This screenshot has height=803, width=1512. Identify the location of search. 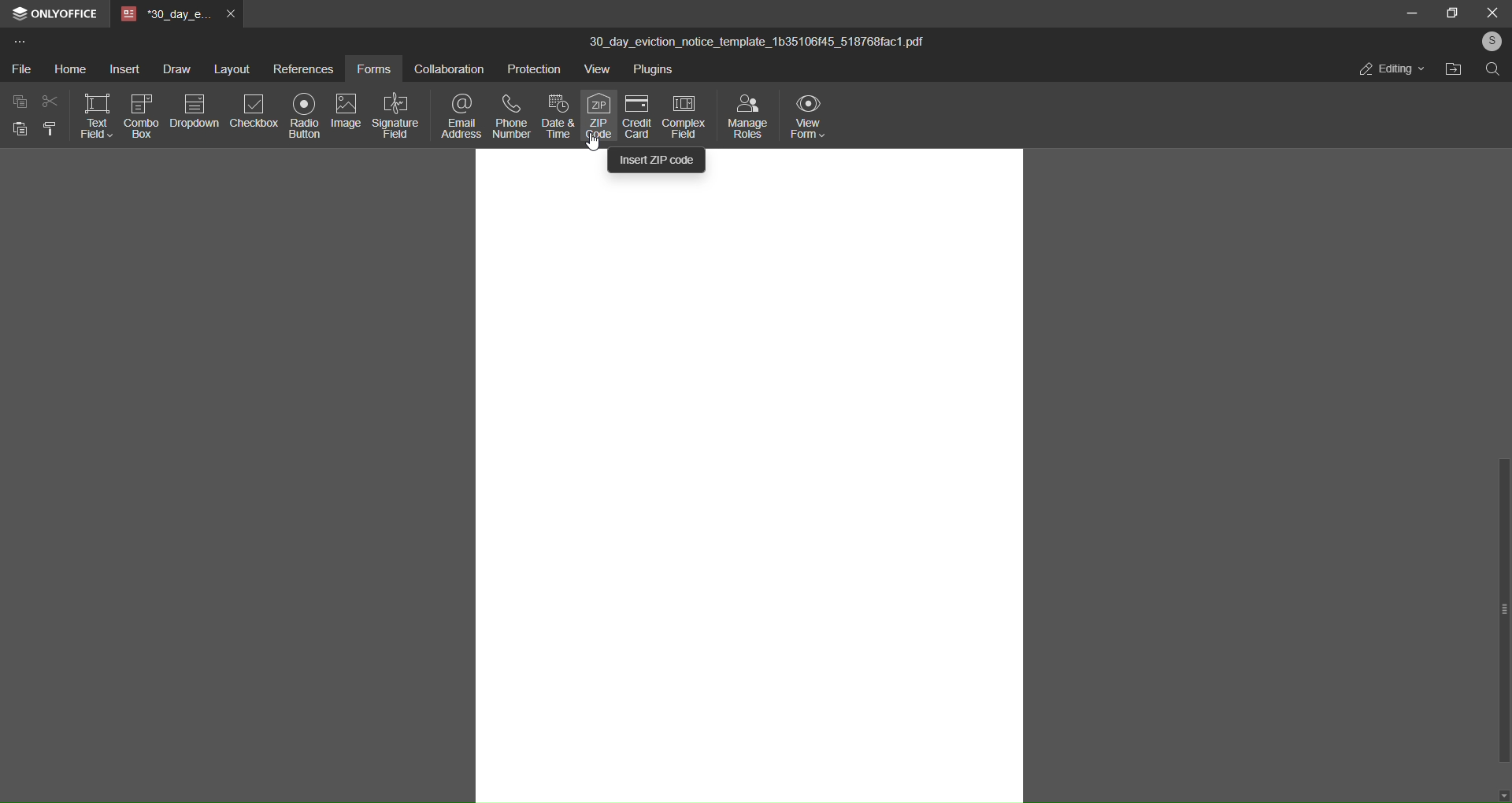
(1492, 70).